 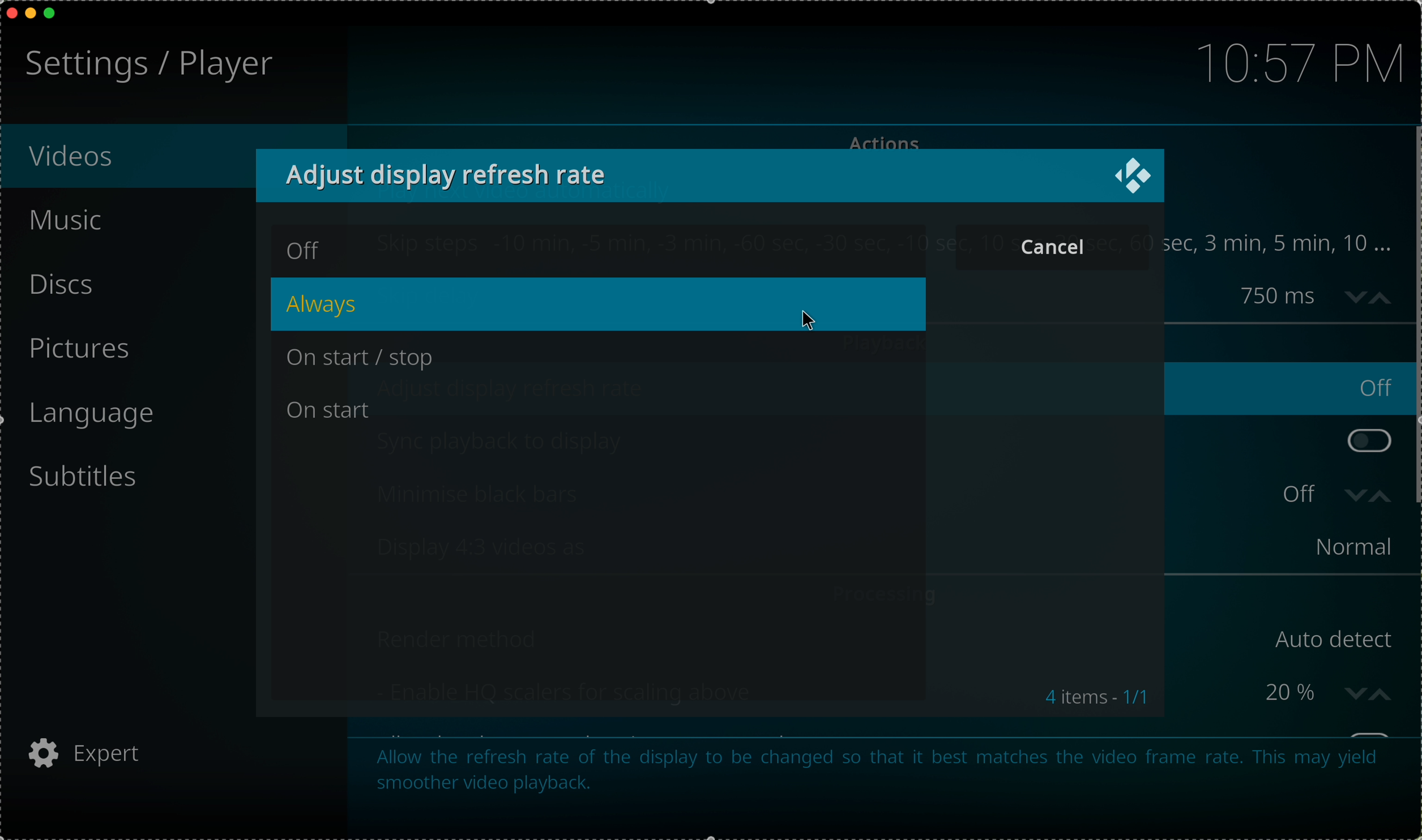 What do you see at coordinates (1342, 547) in the screenshot?
I see `Normal` at bounding box center [1342, 547].